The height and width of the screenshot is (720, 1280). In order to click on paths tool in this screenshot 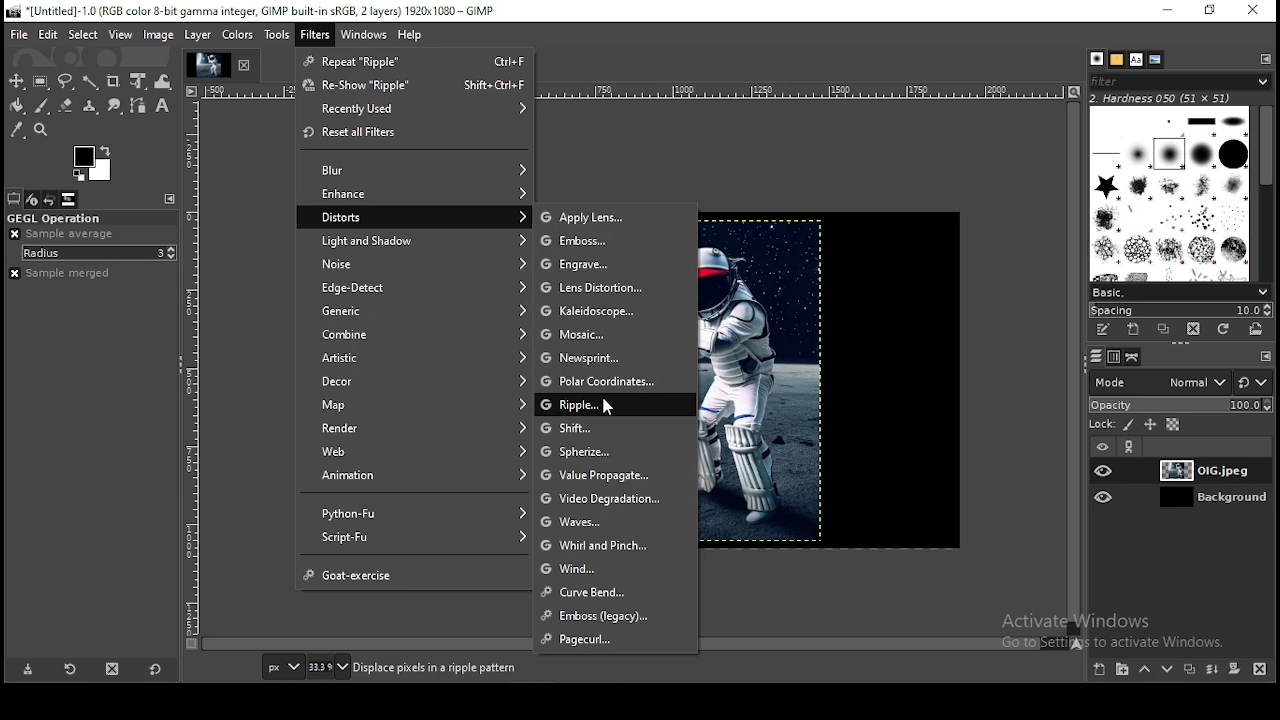, I will do `click(138, 106)`.